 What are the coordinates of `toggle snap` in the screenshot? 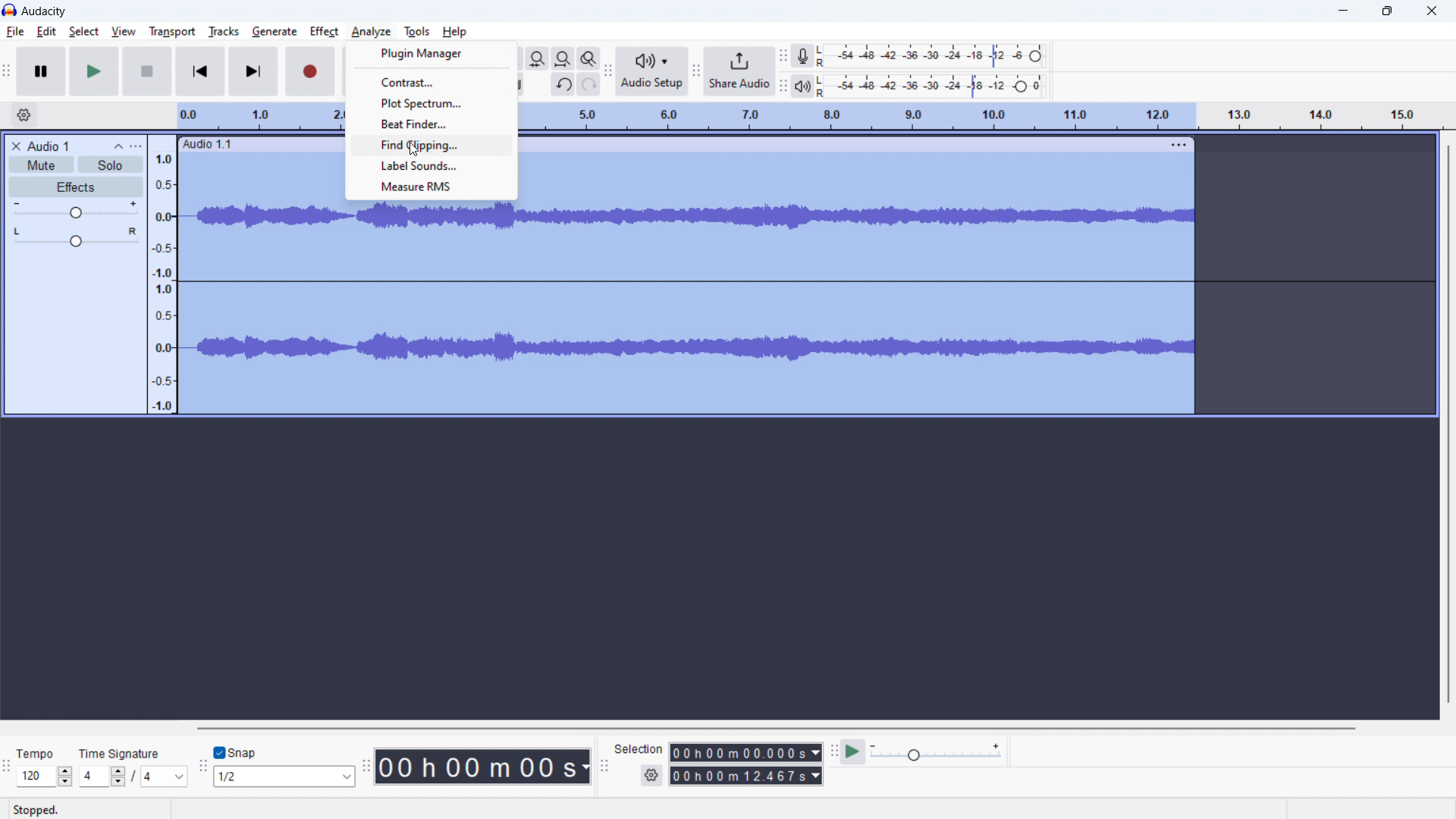 It's located at (237, 753).